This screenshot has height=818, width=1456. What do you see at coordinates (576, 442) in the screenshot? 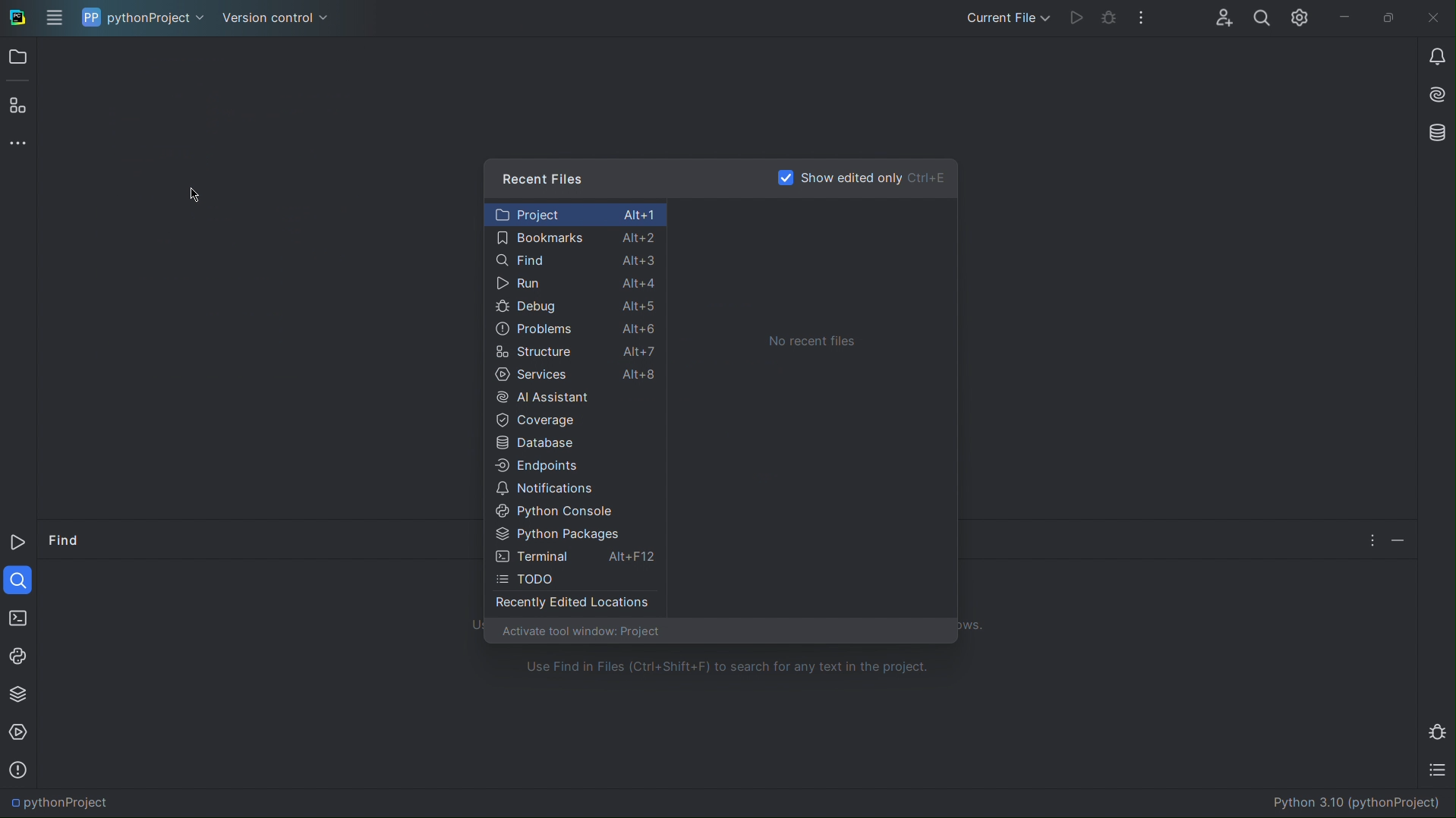
I see `Database` at bounding box center [576, 442].